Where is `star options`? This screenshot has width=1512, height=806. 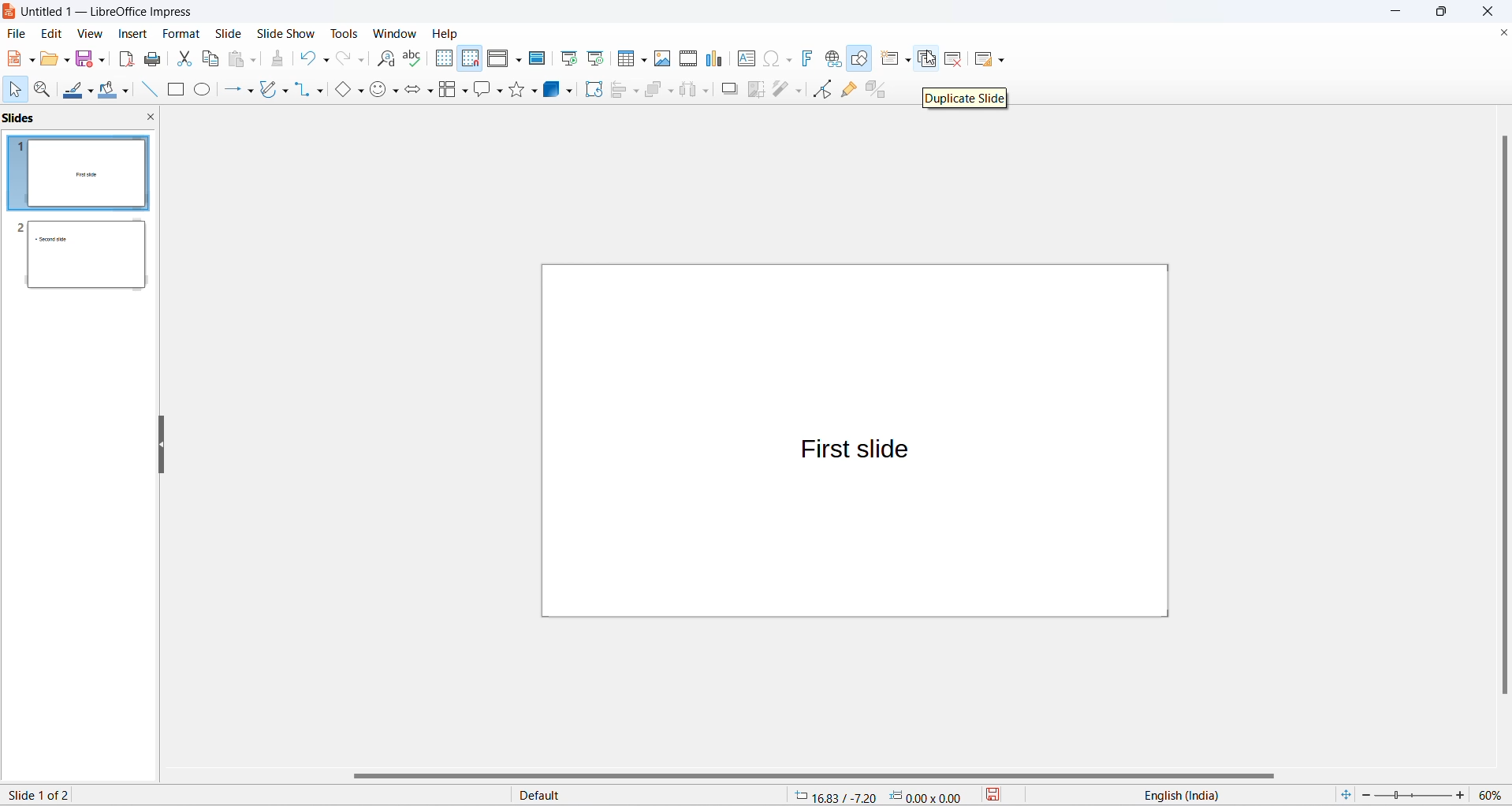
star options is located at coordinates (531, 91).